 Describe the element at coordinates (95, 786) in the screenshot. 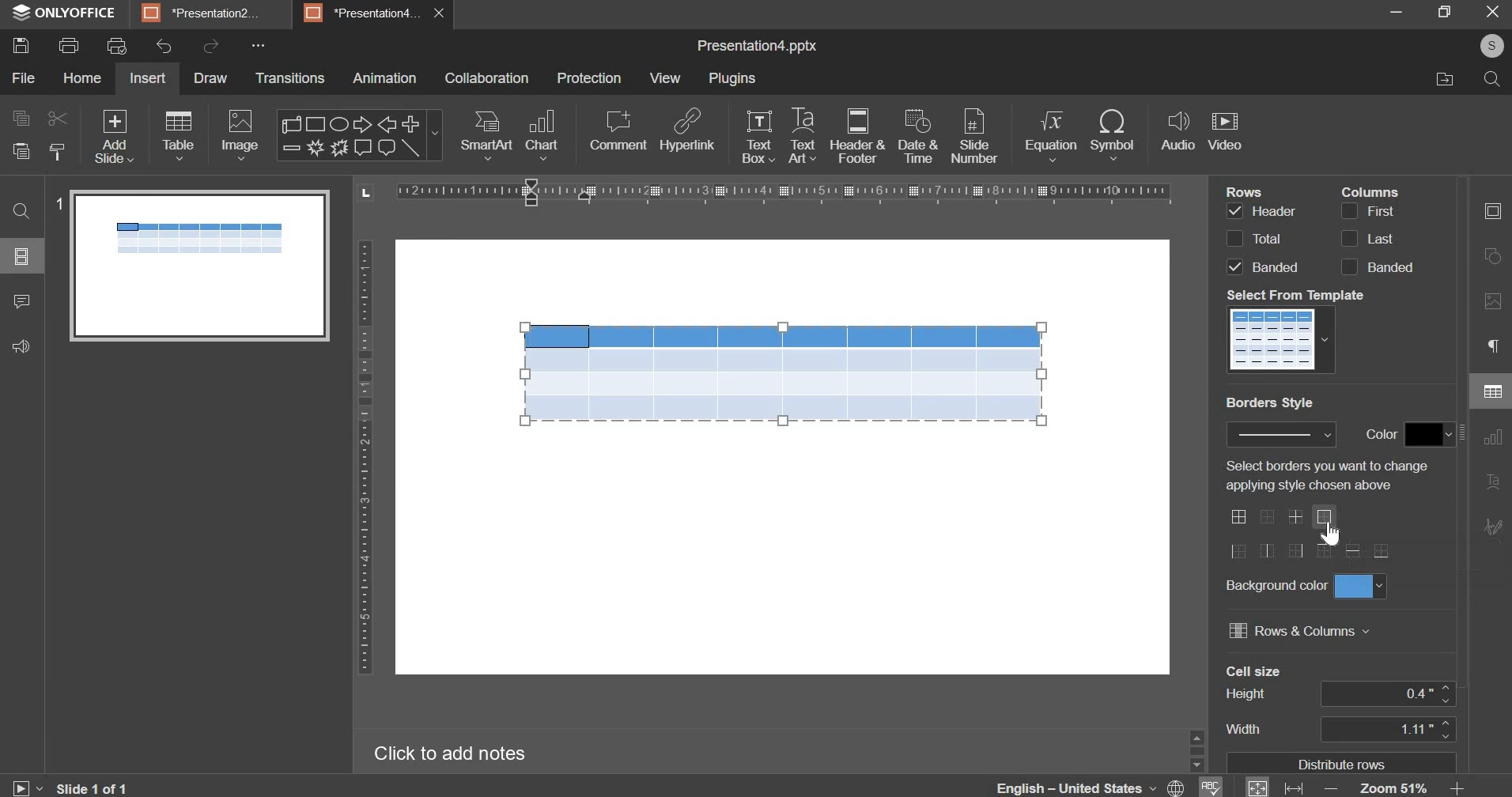

I see `slide 1 of 1` at that location.